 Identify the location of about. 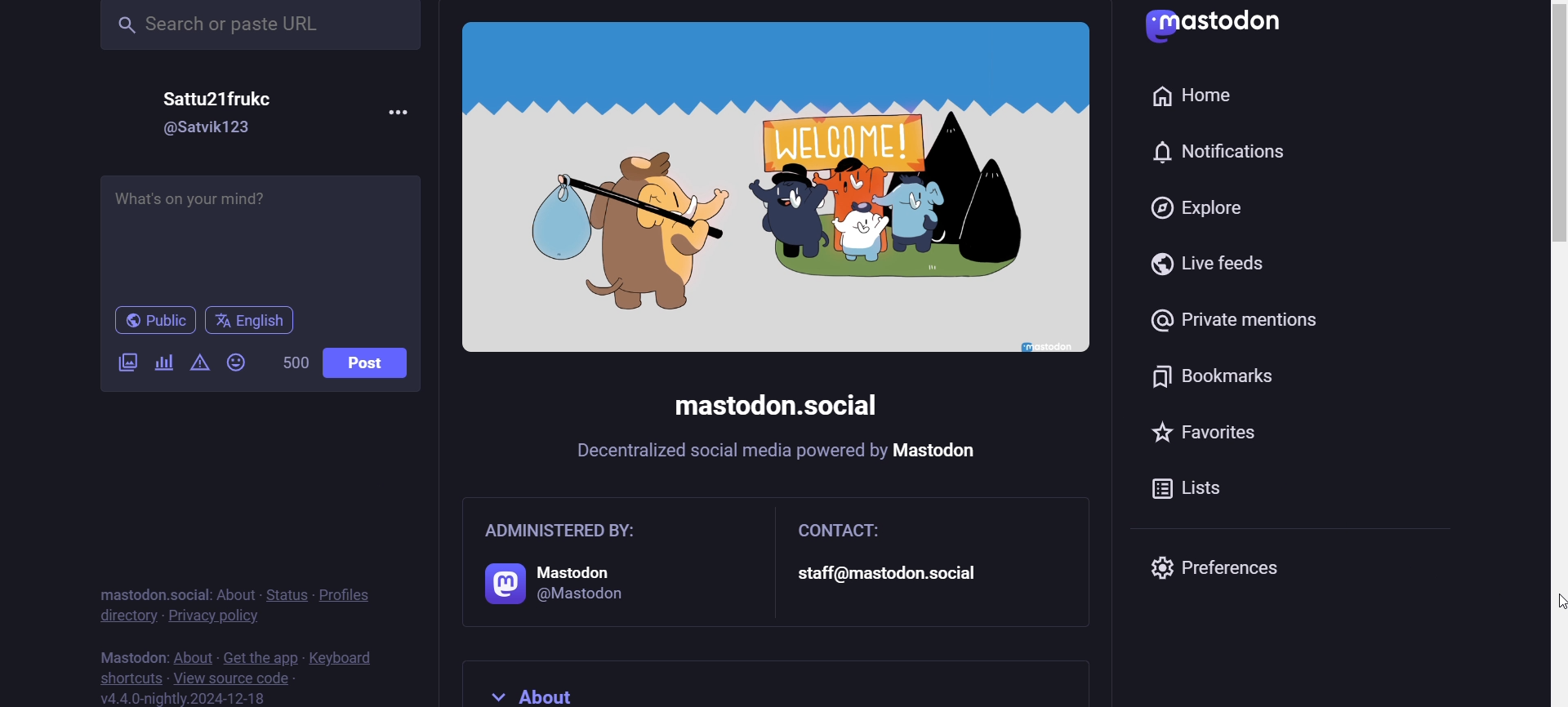
(530, 696).